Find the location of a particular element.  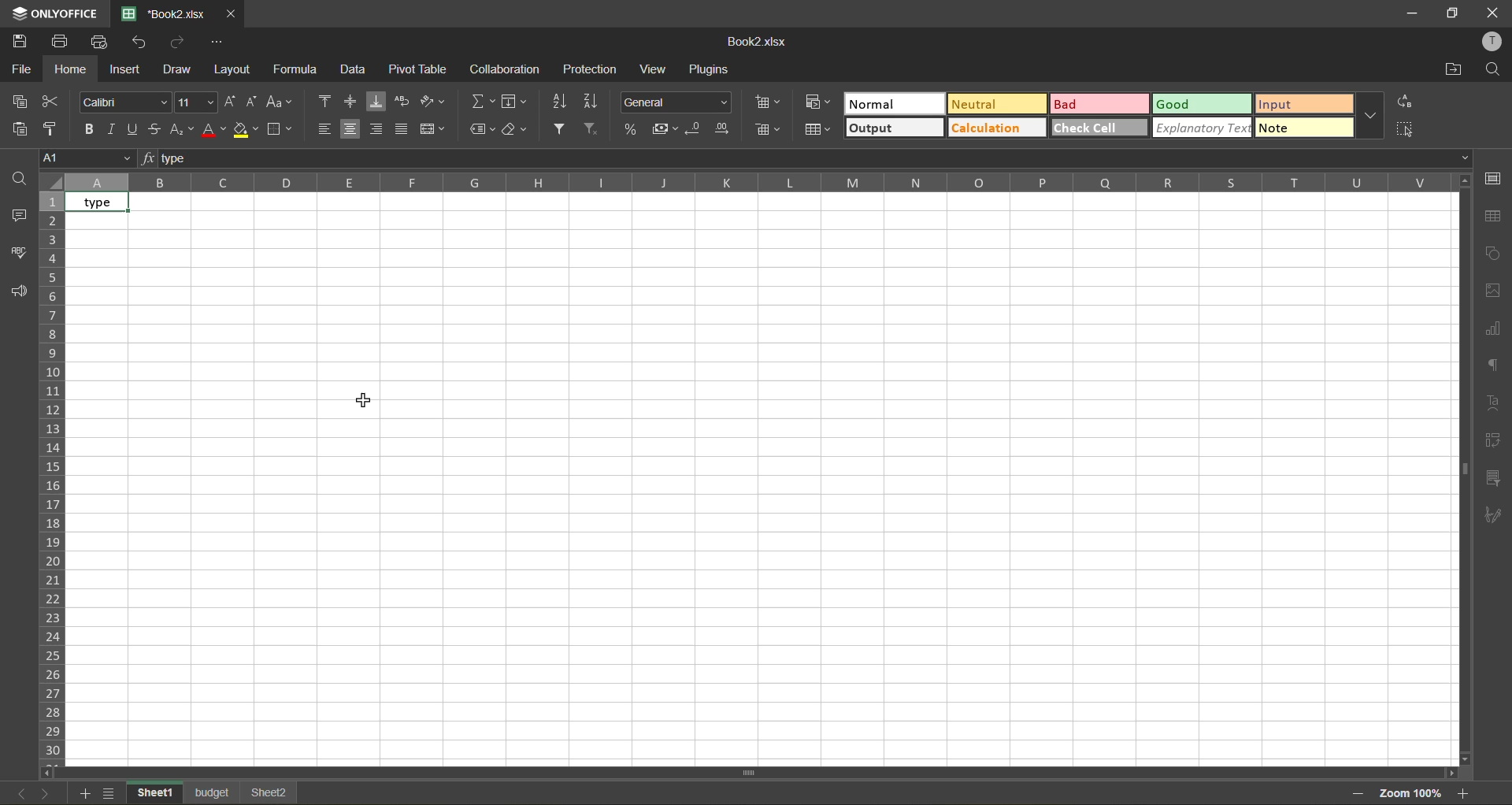

guideline is located at coordinates (51, 182).